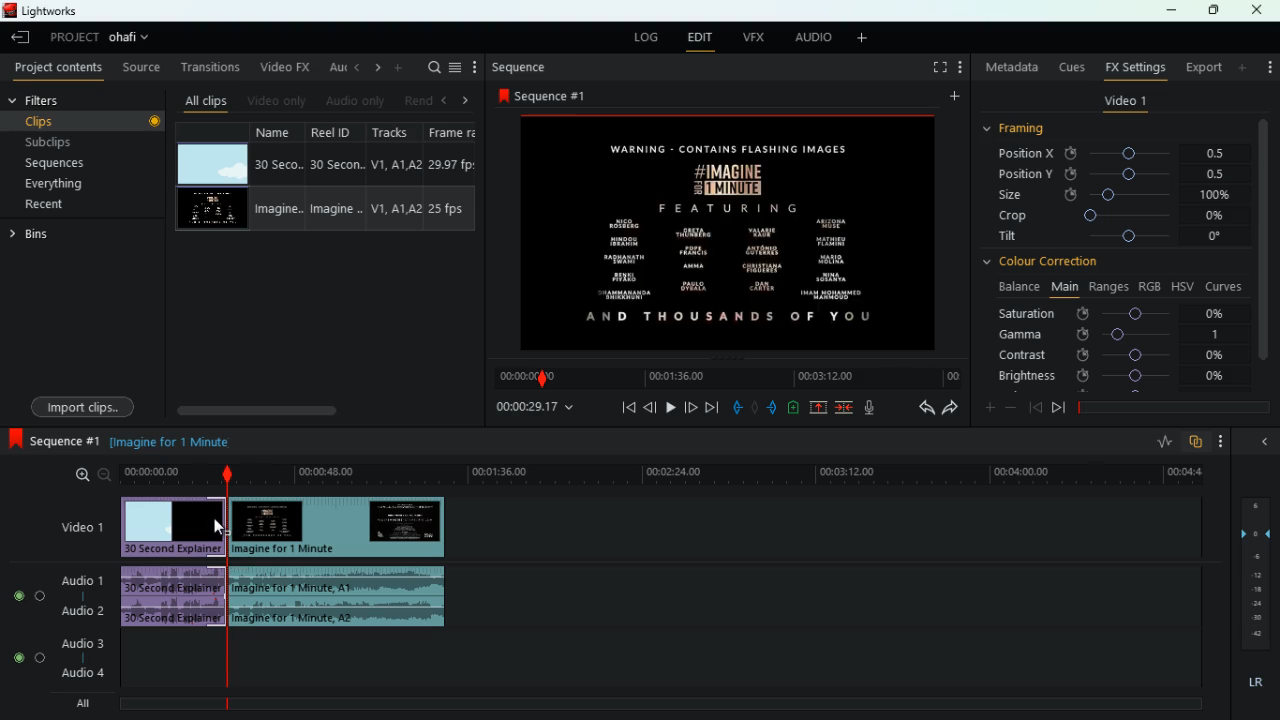 This screenshot has height=720, width=1280. What do you see at coordinates (475, 67) in the screenshot?
I see `more` at bounding box center [475, 67].